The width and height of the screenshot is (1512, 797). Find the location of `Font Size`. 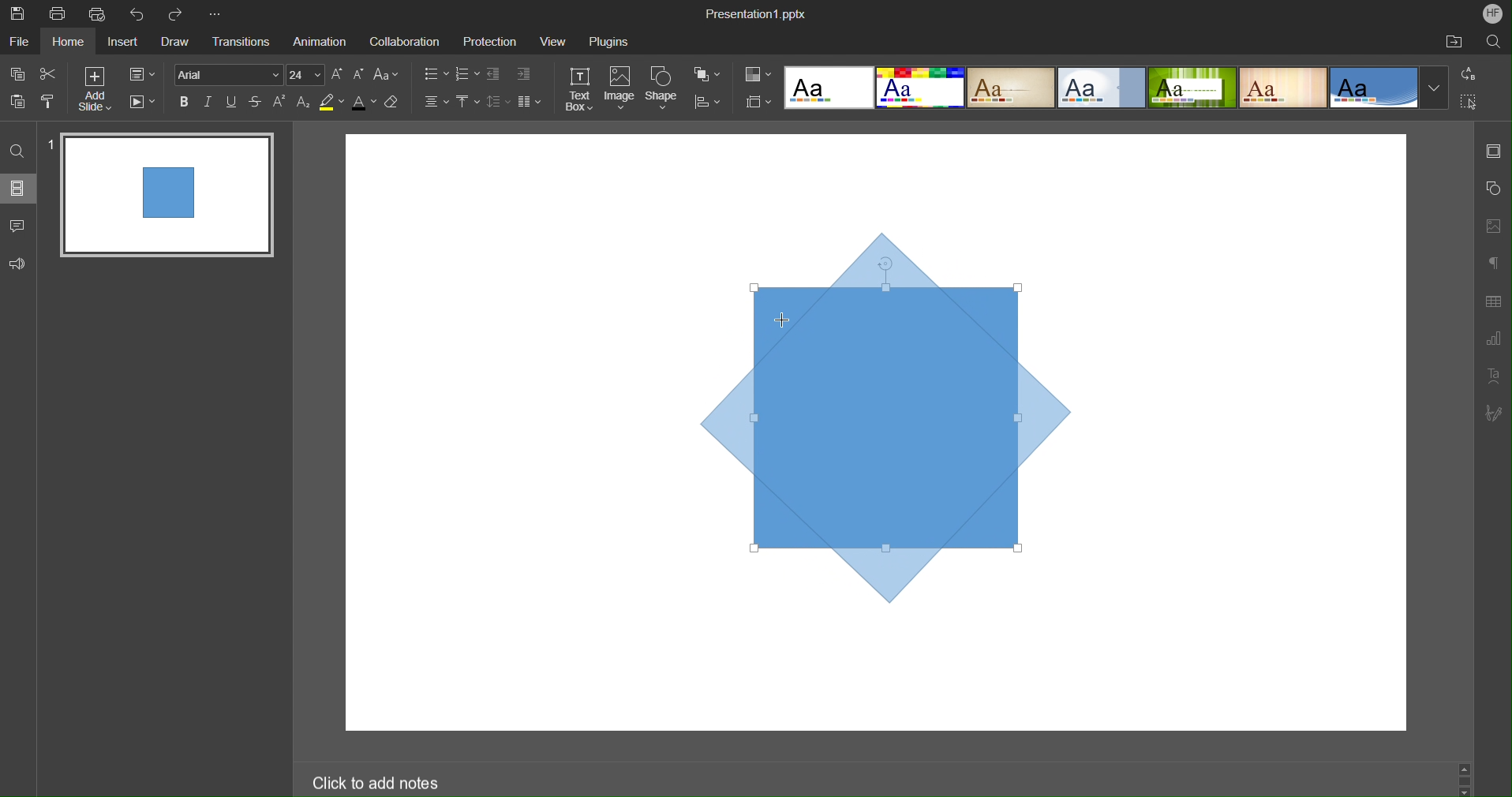

Font Size is located at coordinates (305, 76).